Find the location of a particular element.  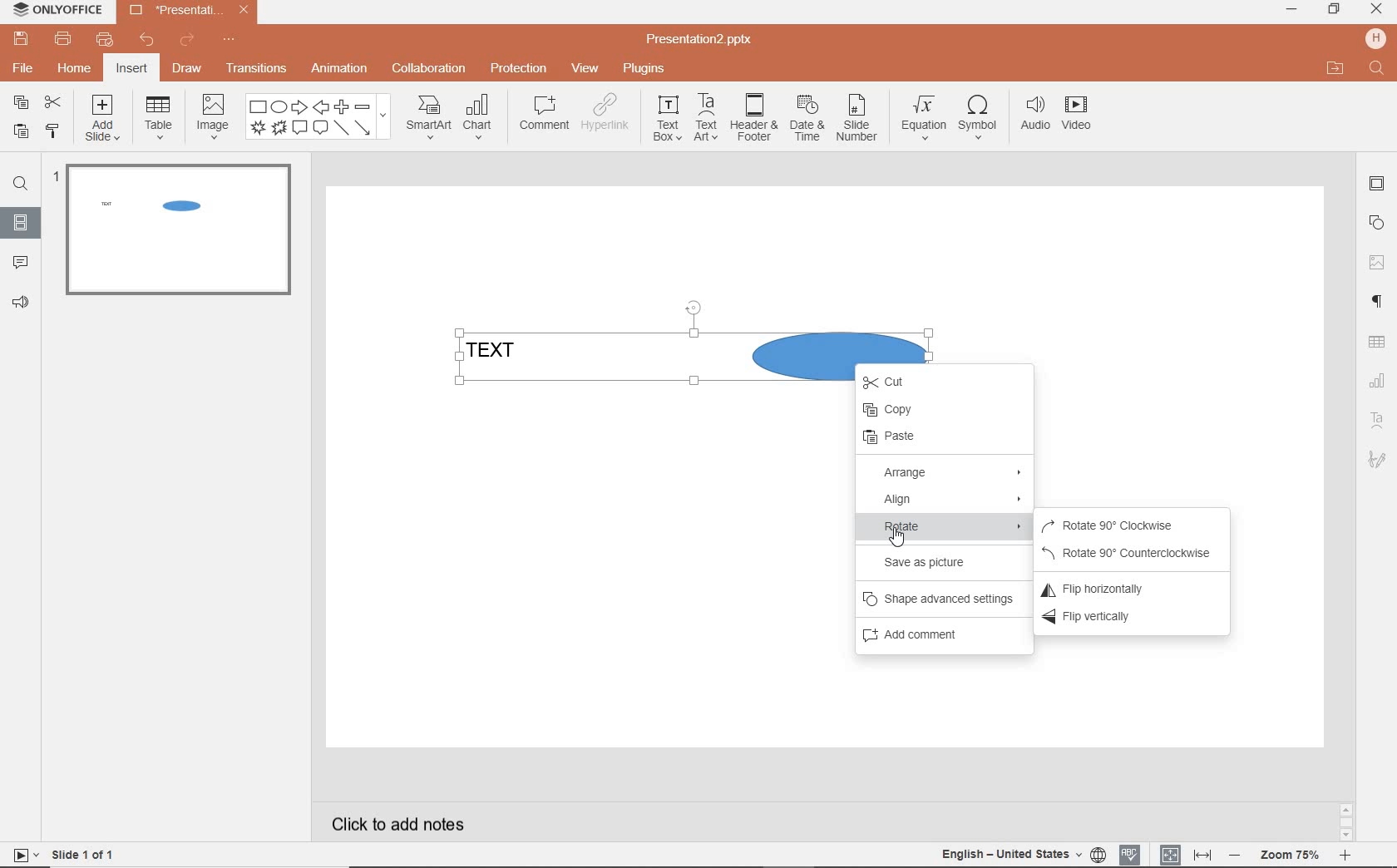

TEXT & SHAPE GROUPED is located at coordinates (152, 206).